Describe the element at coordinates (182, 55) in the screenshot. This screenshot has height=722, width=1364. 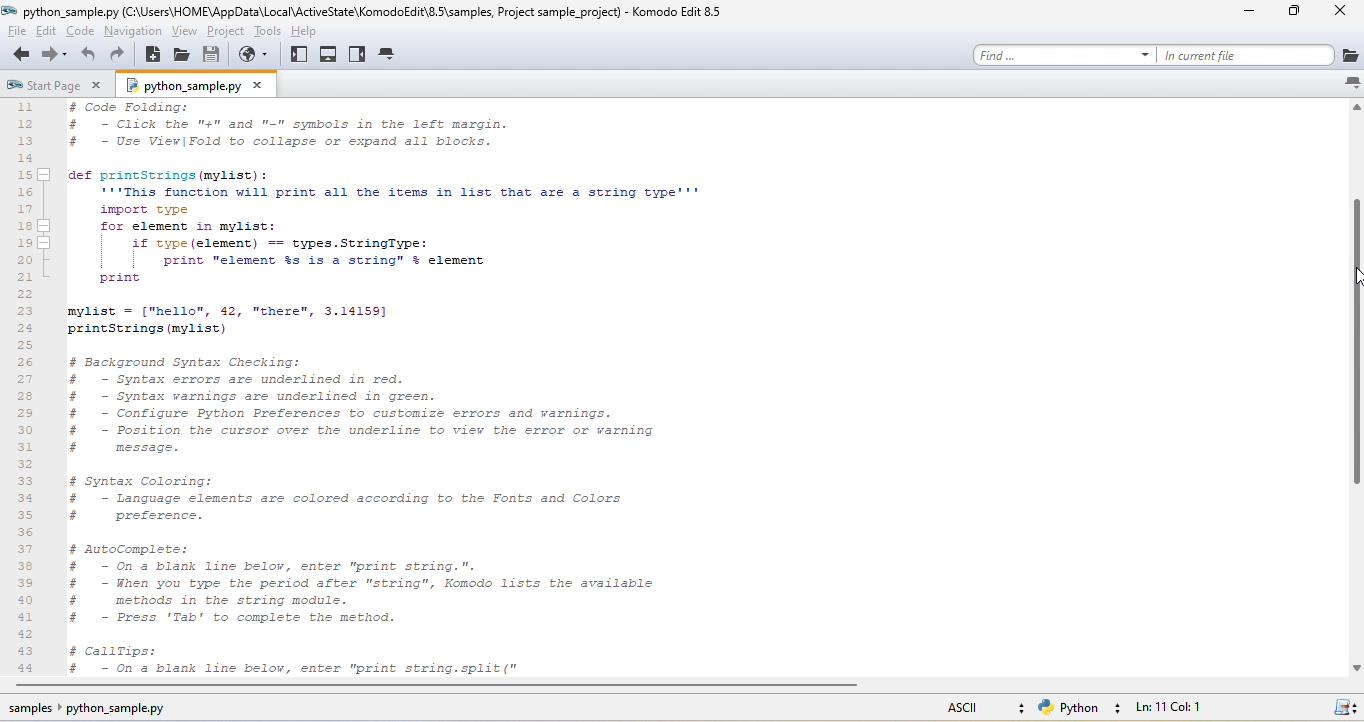
I see `open` at that location.